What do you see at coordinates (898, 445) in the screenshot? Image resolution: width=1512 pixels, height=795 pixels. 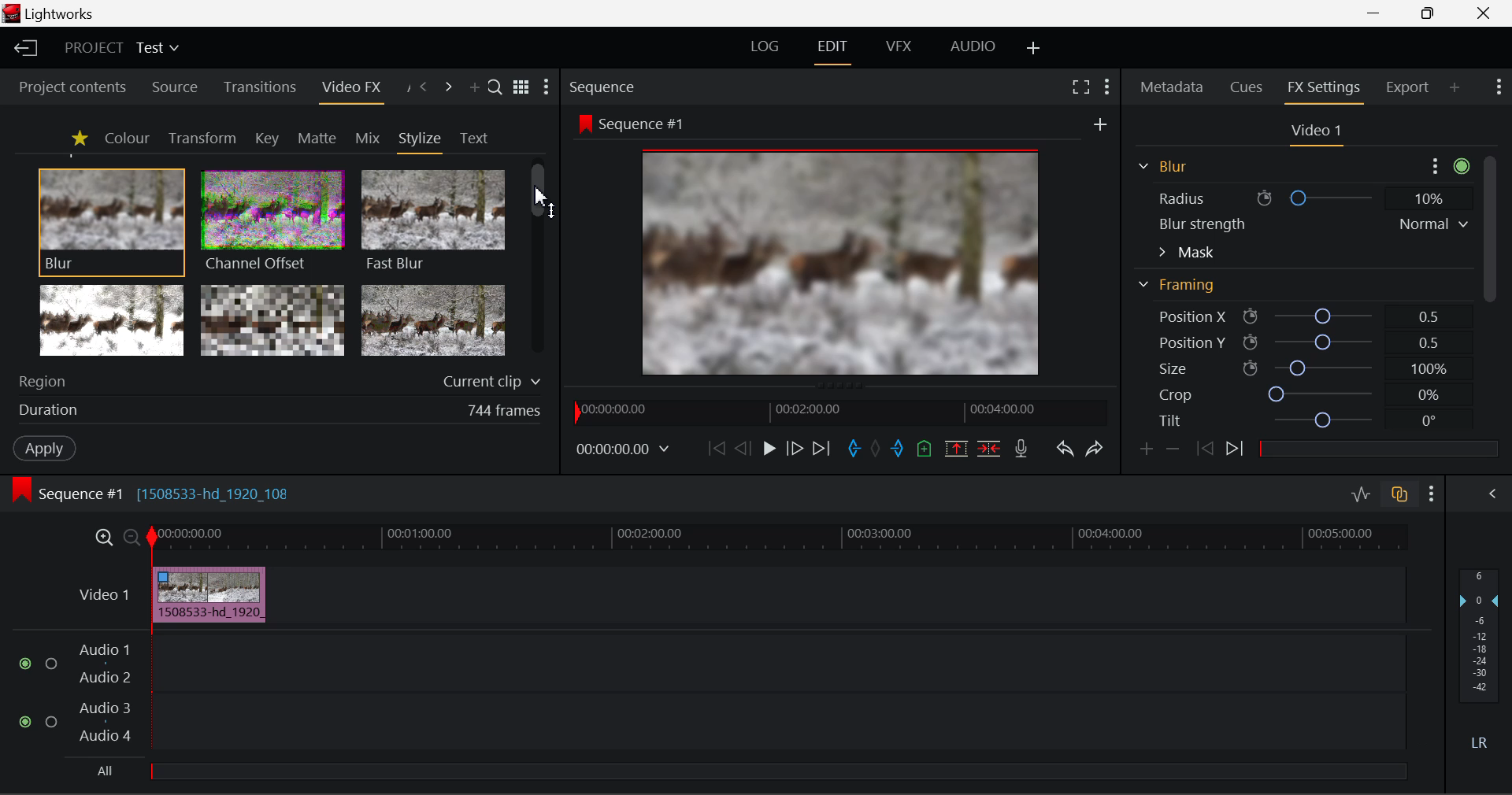 I see `Mark Out` at bounding box center [898, 445].